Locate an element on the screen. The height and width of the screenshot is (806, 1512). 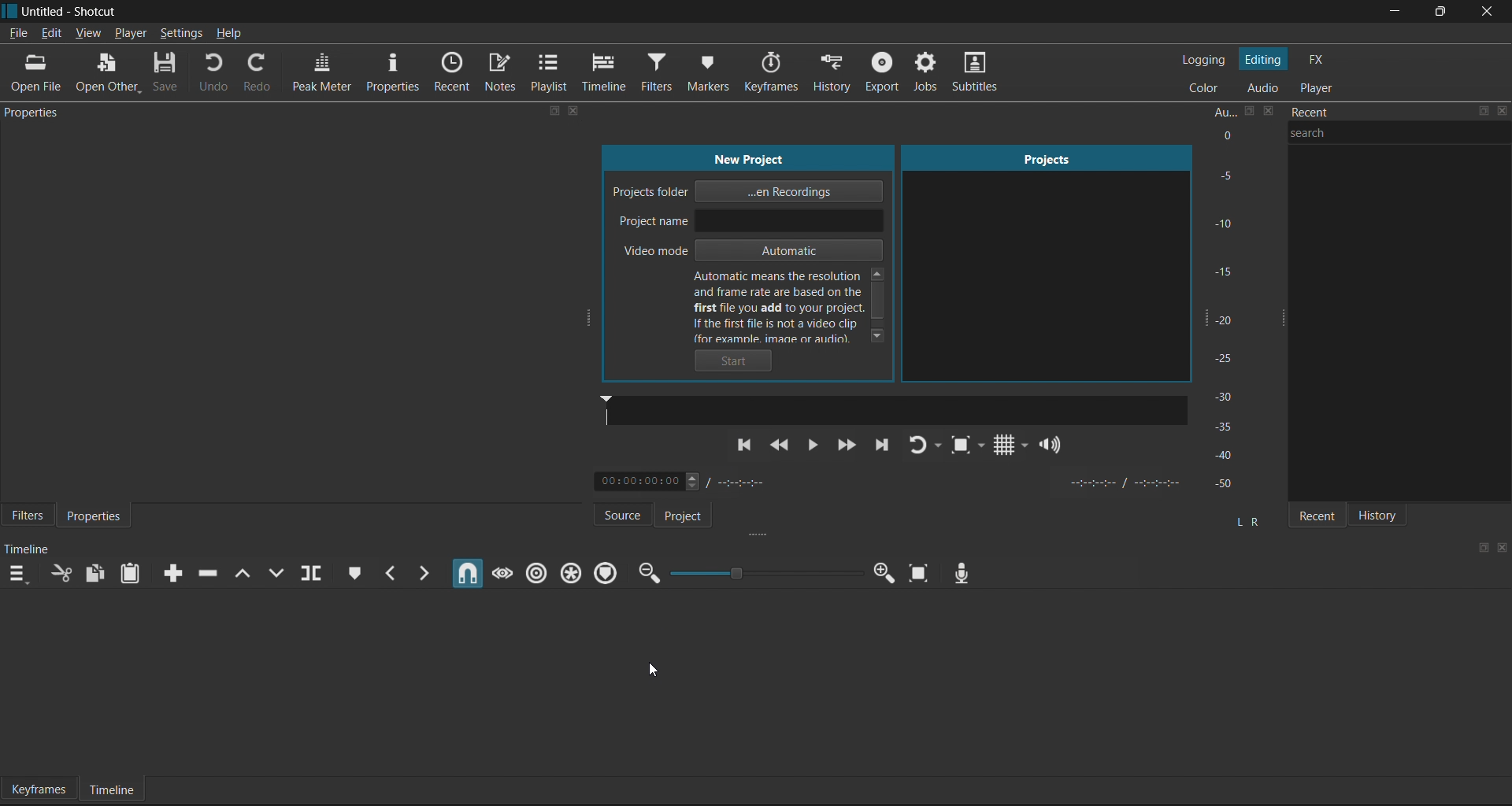
Edit is located at coordinates (51, 34).